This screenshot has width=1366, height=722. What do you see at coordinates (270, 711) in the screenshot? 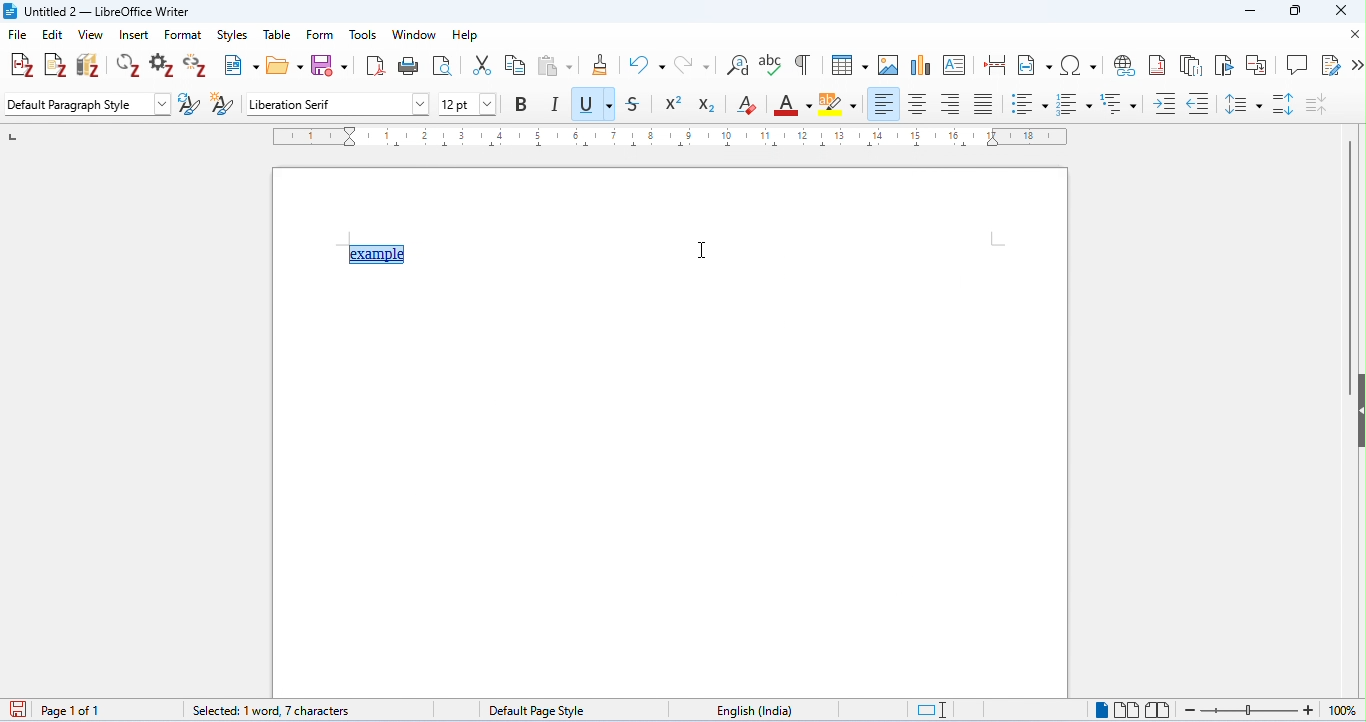
I see `selected: 1 word, 7 characters` at bounding box center [270, 711].